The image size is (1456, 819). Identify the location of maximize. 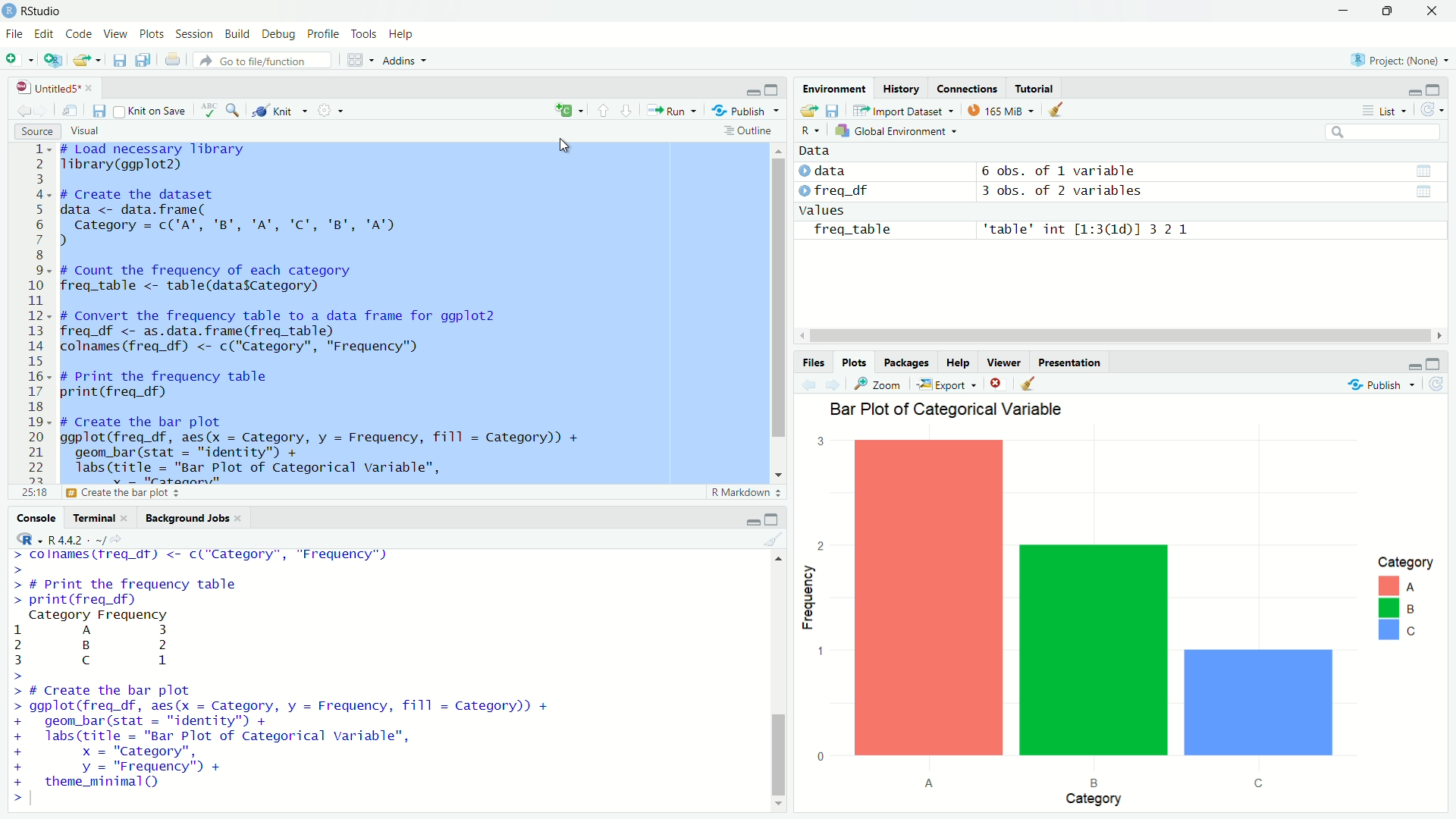
(1392, 12).